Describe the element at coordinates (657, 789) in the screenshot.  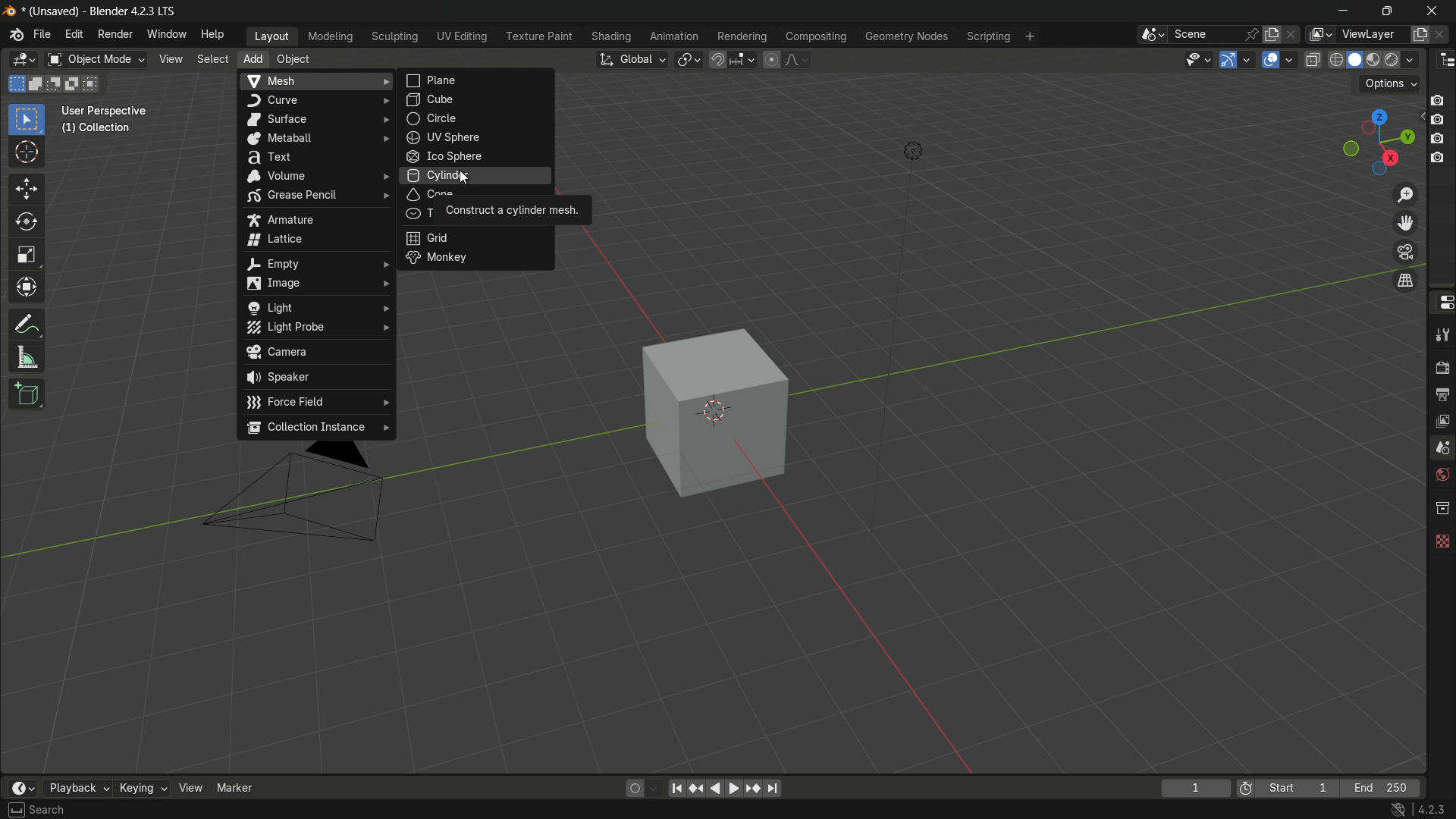
I see `auto keyframing` at that location.